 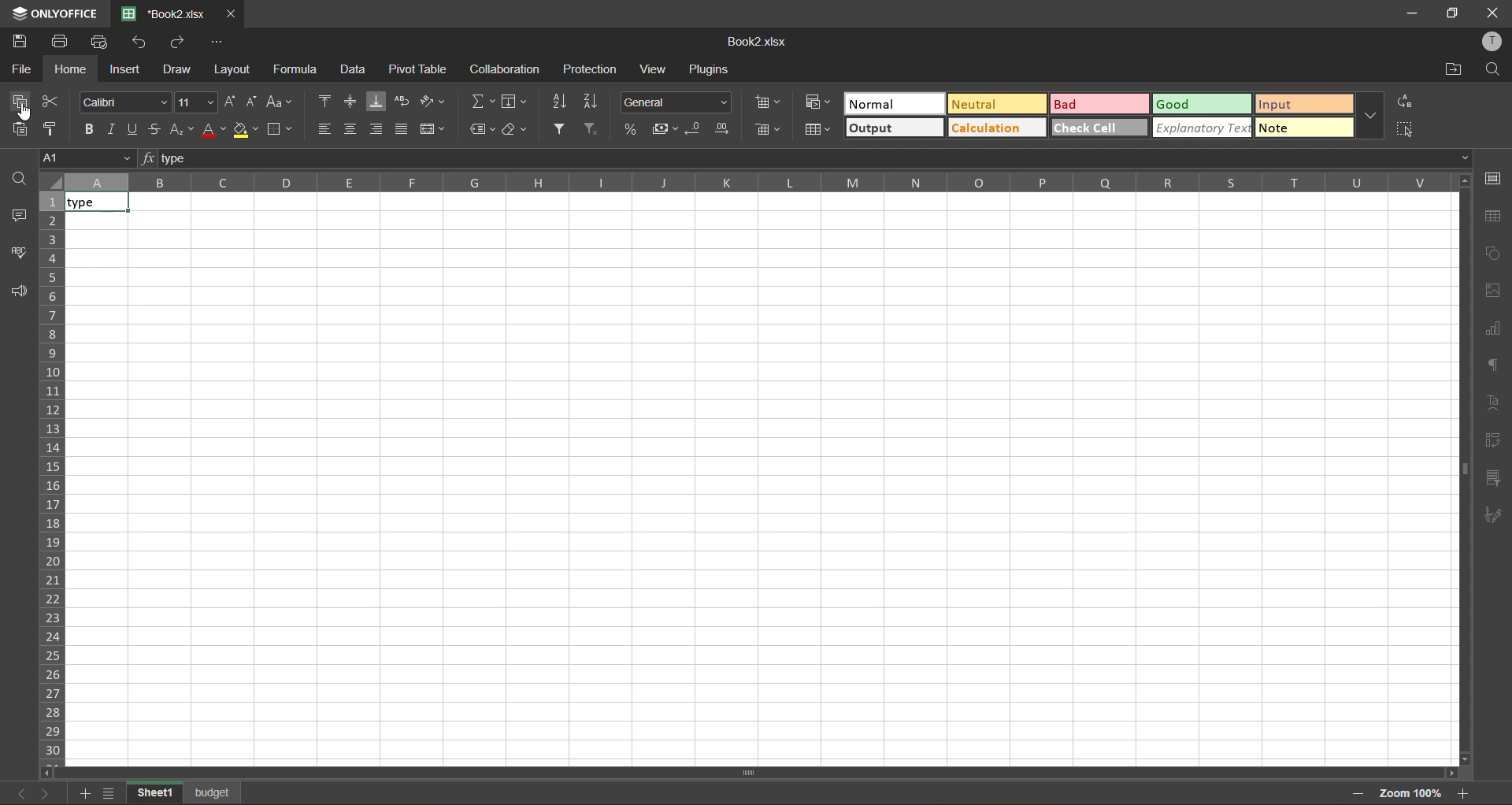 What do you see at coordinates (1492, 70) in the screenshot?
I see `find` at bounding box center [1492, 70].